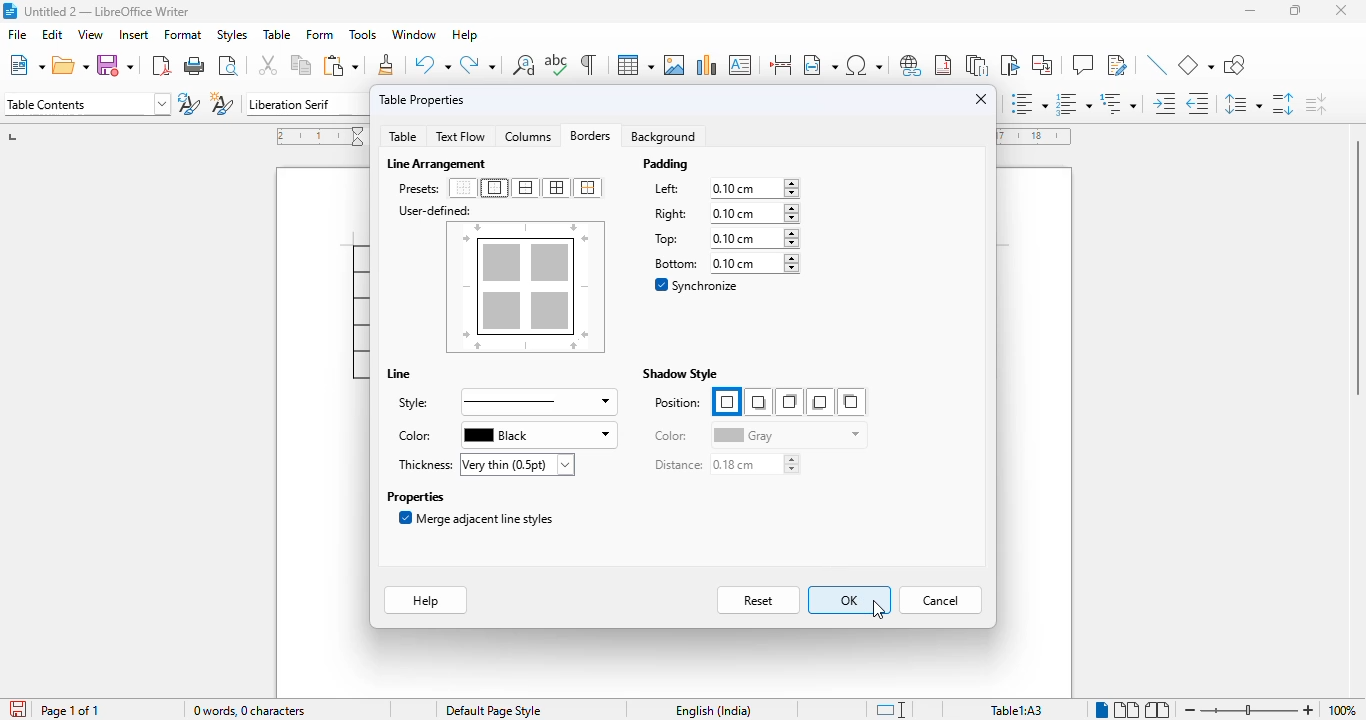 The width and height of the screenshot is (1366, 720). What do you see at coordinates (587, 188) in the screenshot?
I see `outer border without changing inner lines` at bounding box center [587, 188].